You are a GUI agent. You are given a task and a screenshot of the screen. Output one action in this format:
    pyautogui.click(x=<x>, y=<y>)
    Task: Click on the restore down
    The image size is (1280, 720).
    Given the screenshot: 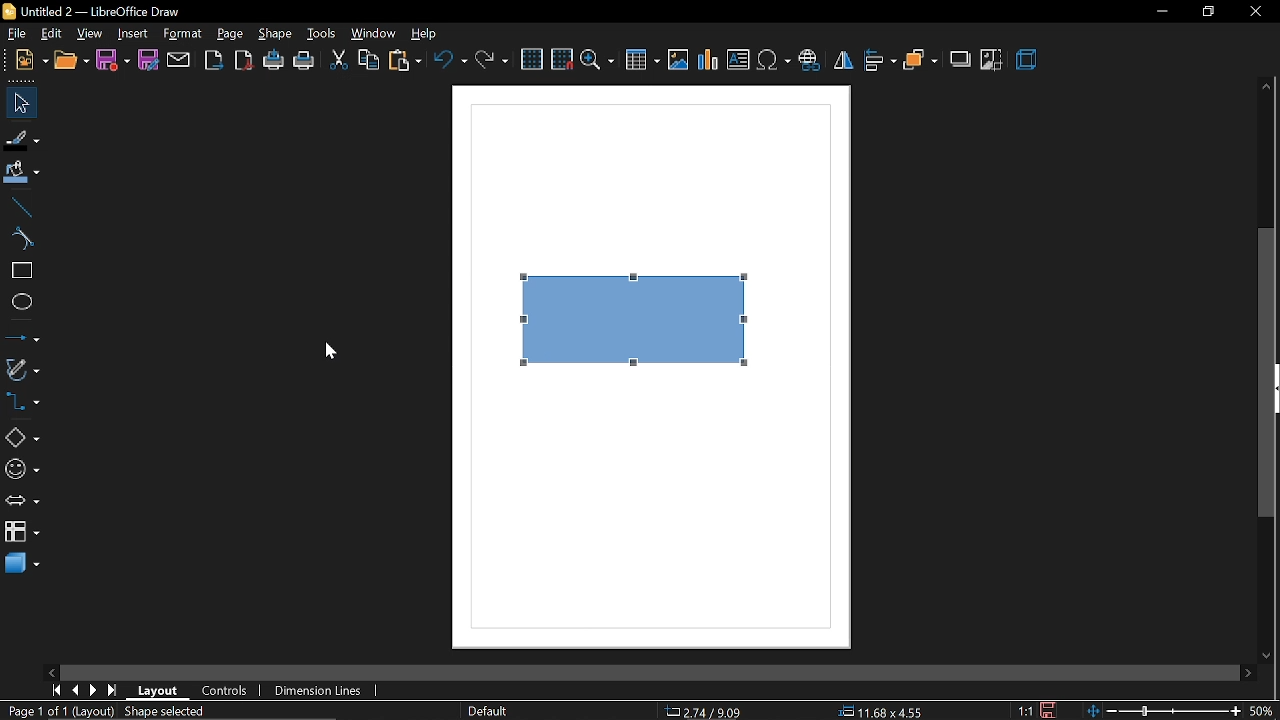 What is the action you would take?
    pyautogui.click(x=1203, y=12)
    